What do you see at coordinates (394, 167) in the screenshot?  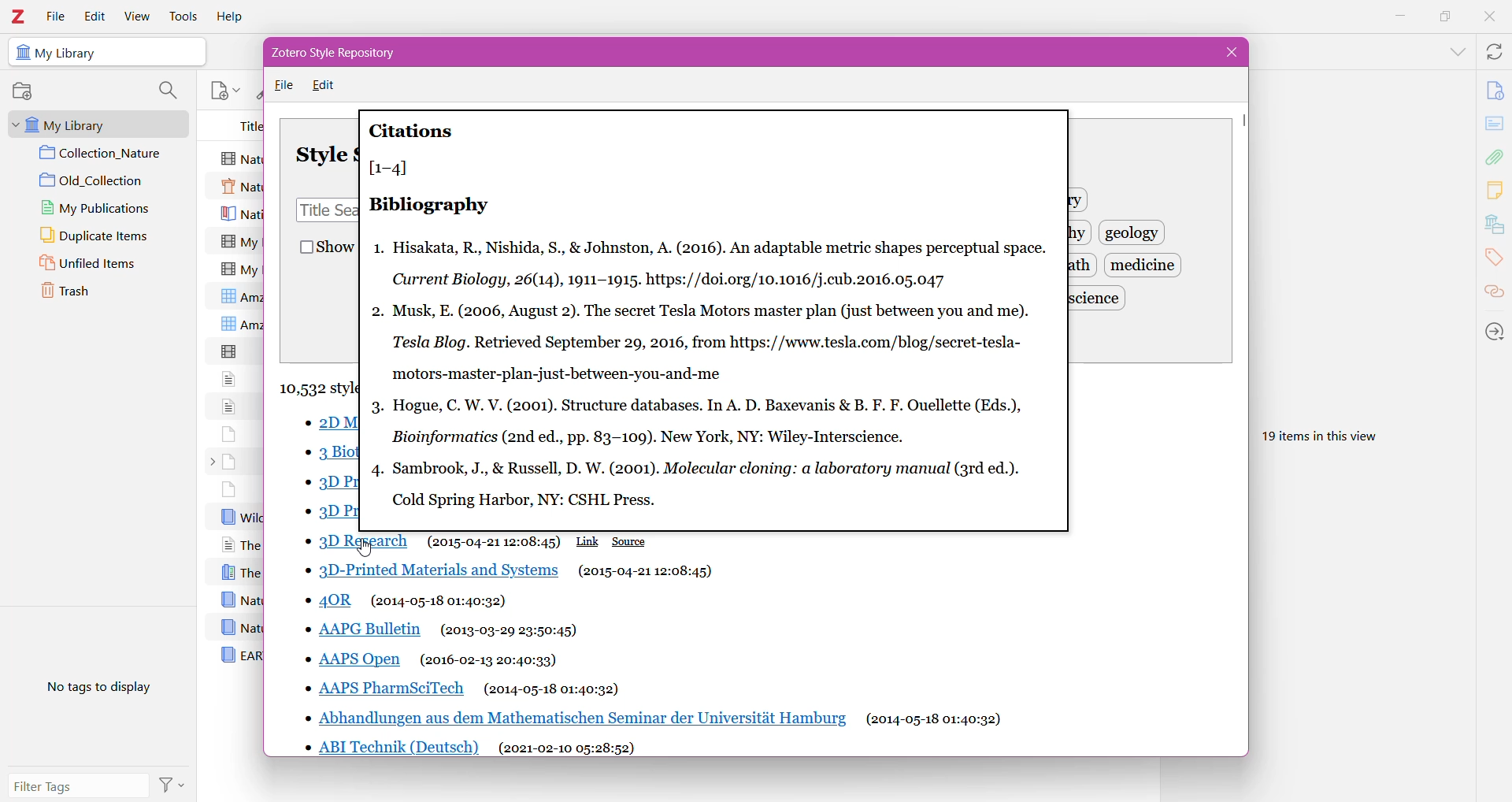 I see `[1-4]` at bounding box center [394, 167].